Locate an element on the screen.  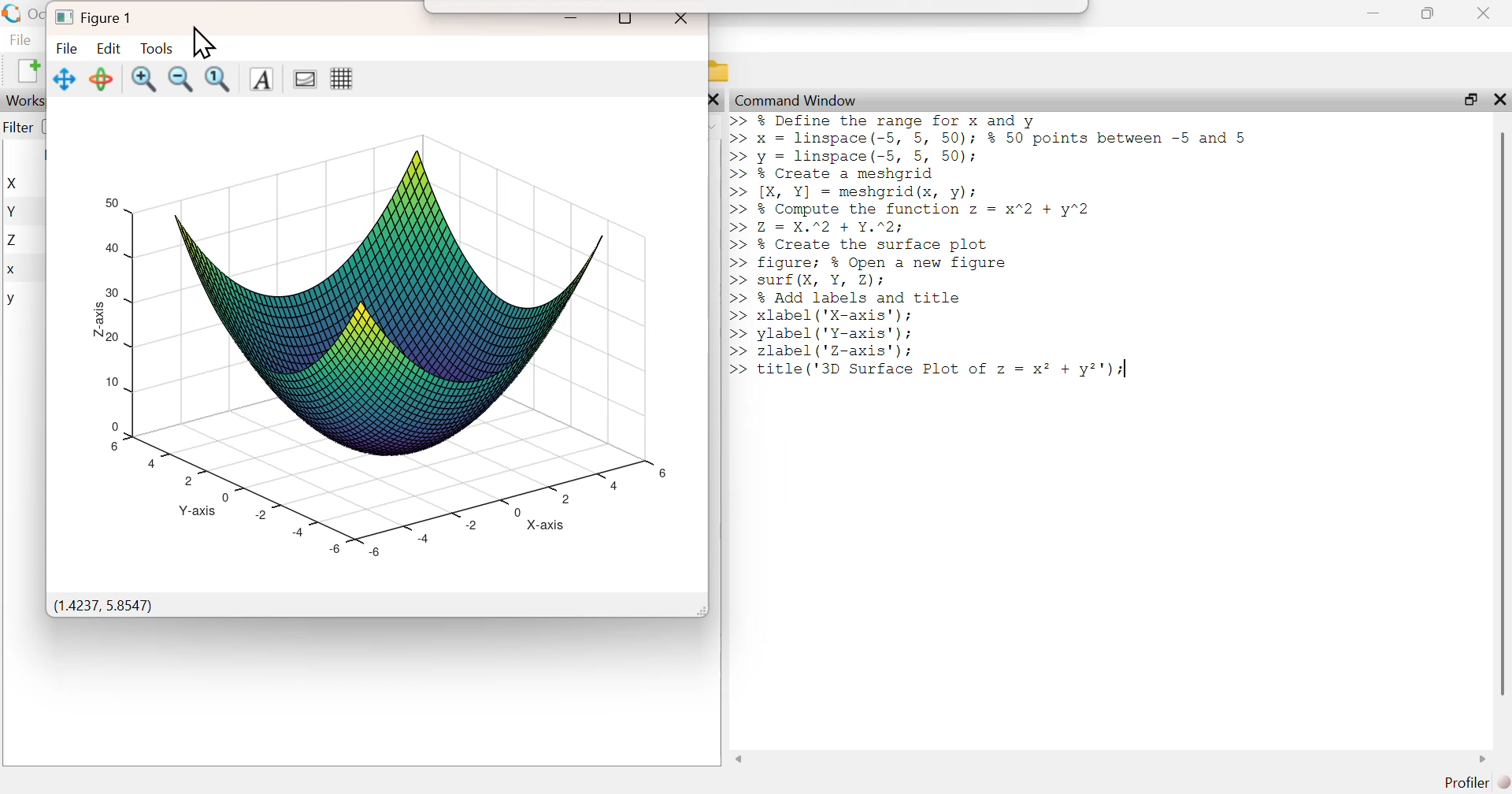
X is located at coordinates (15, 184).